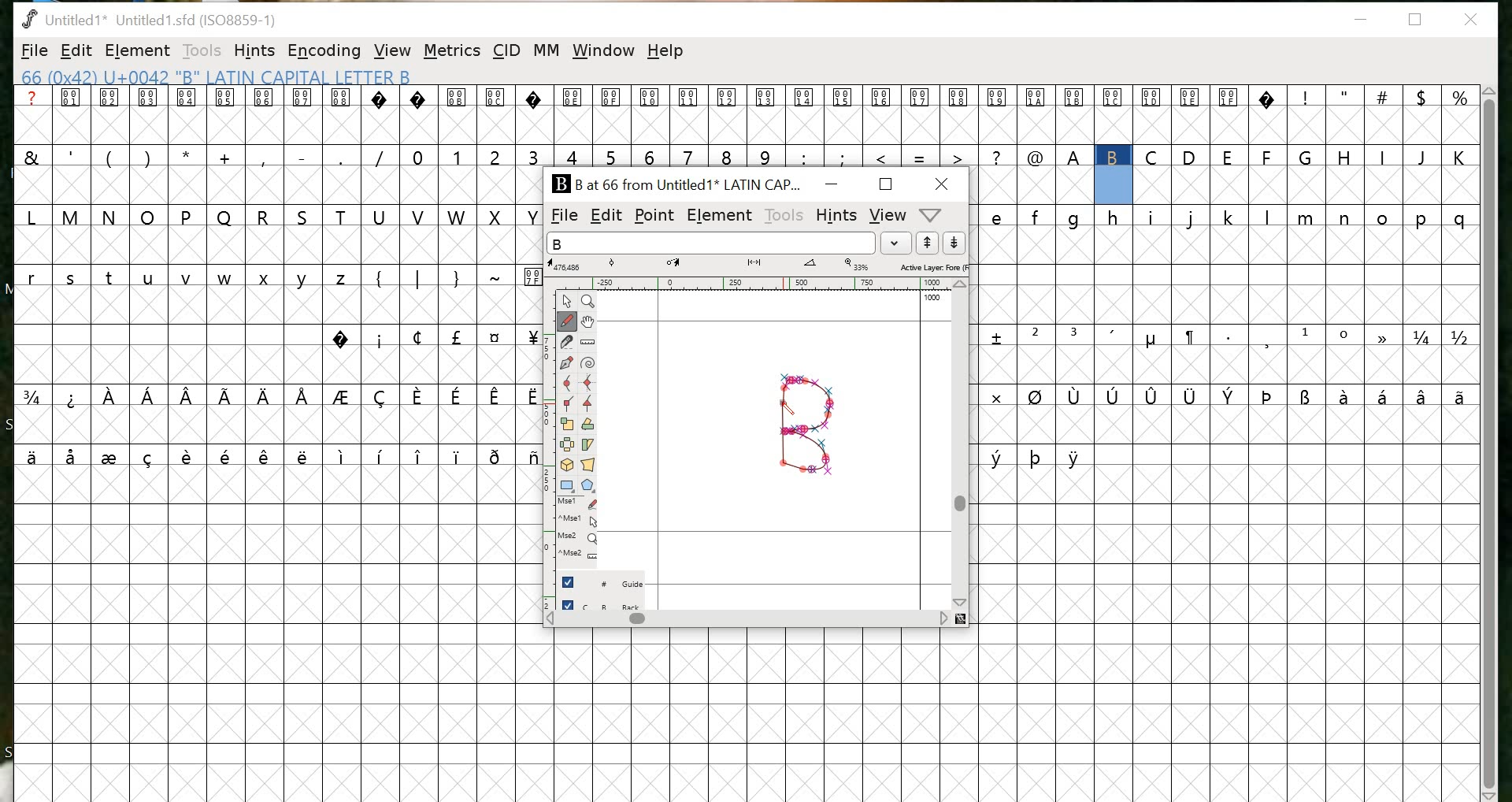 Image resolution: width=1512 pixels, height=802 pixels. I want to click on CID, so click(506, 51).